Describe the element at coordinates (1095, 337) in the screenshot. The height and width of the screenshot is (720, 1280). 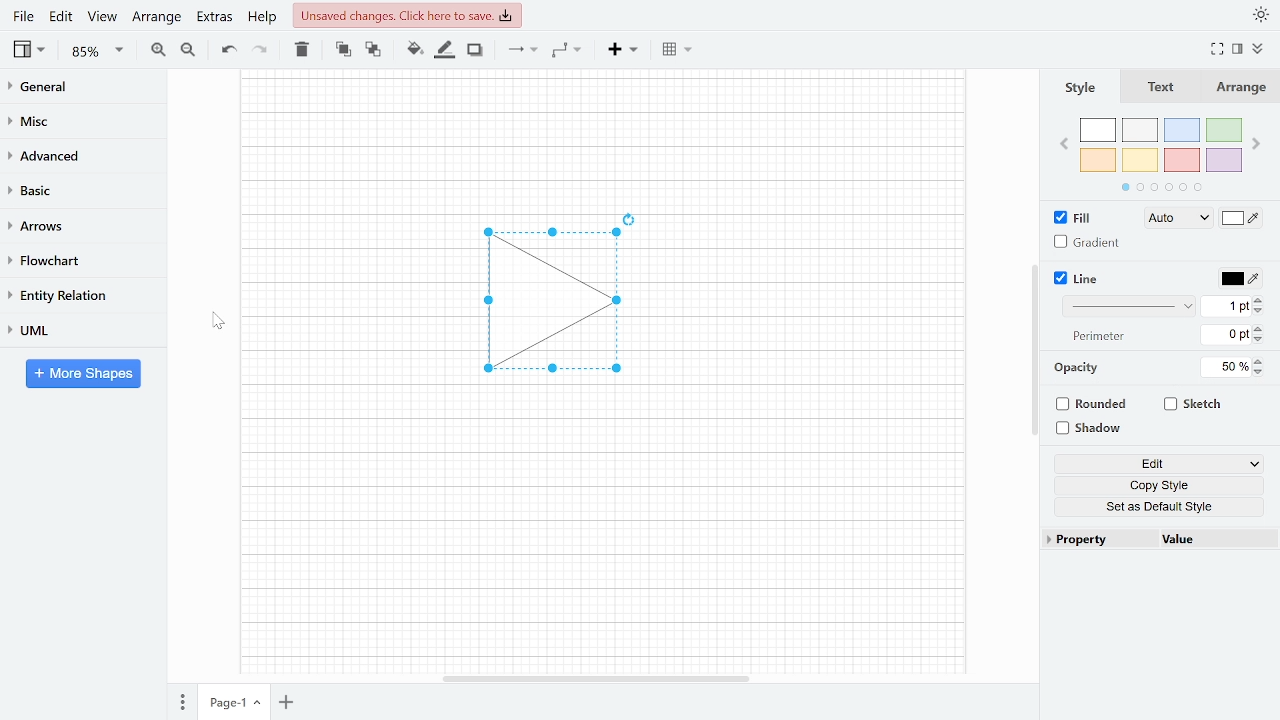
I see `Perimeter` at that location.